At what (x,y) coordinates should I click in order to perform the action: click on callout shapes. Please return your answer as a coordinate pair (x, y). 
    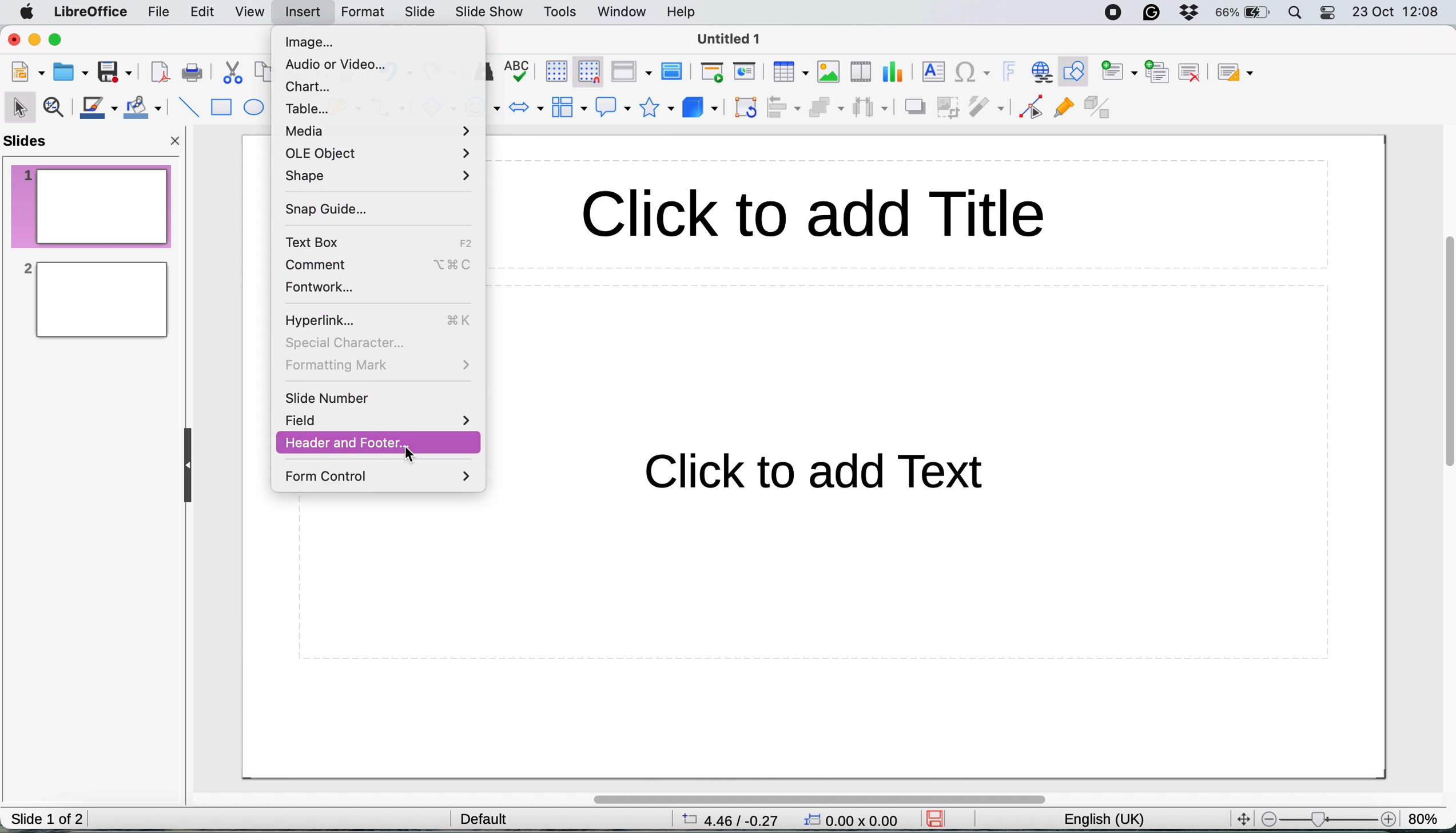
    Looking at the image, I should click on (609, 106).